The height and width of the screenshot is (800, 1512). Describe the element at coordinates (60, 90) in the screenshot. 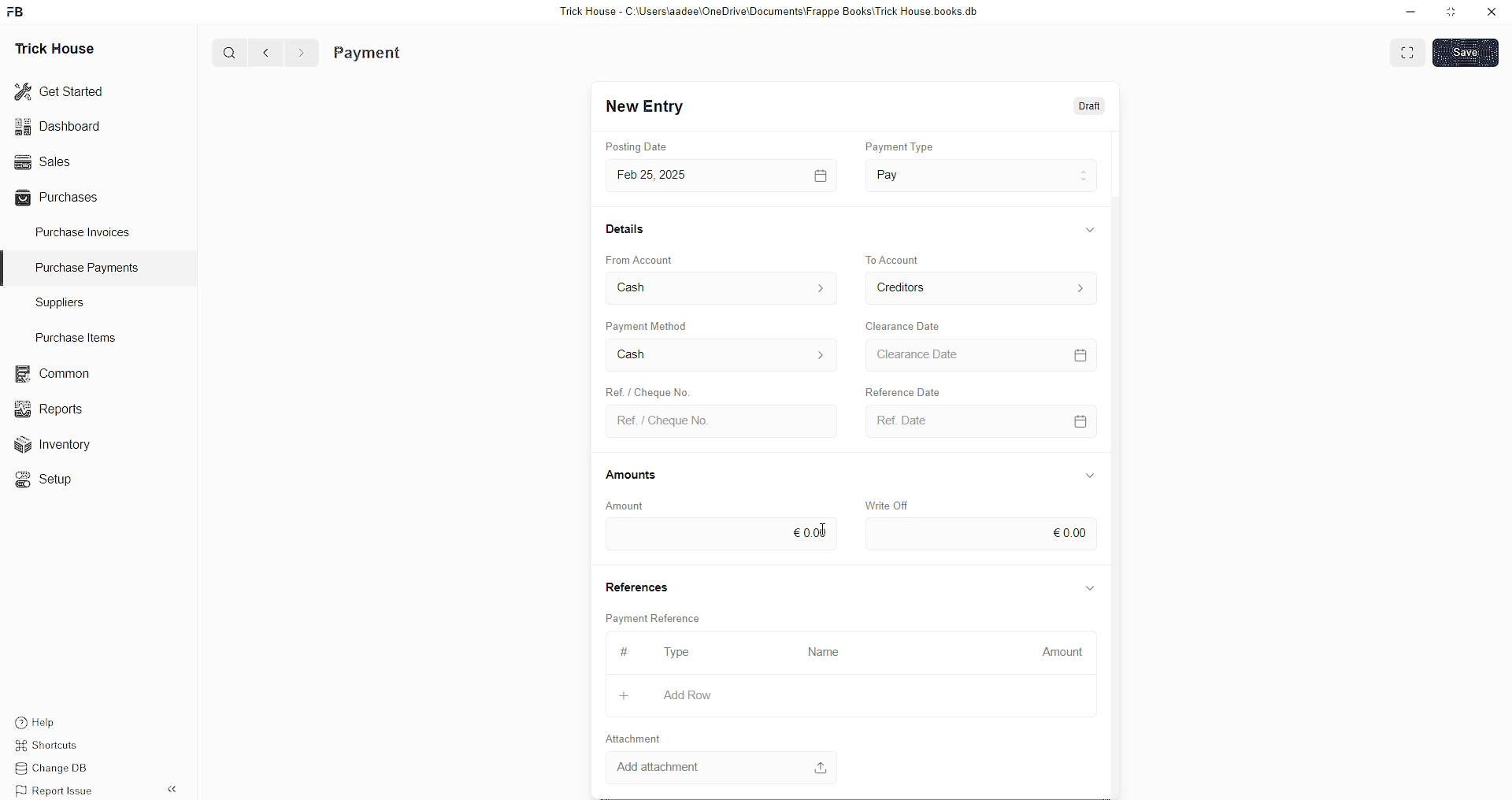

I see ` Get Started` at that location.